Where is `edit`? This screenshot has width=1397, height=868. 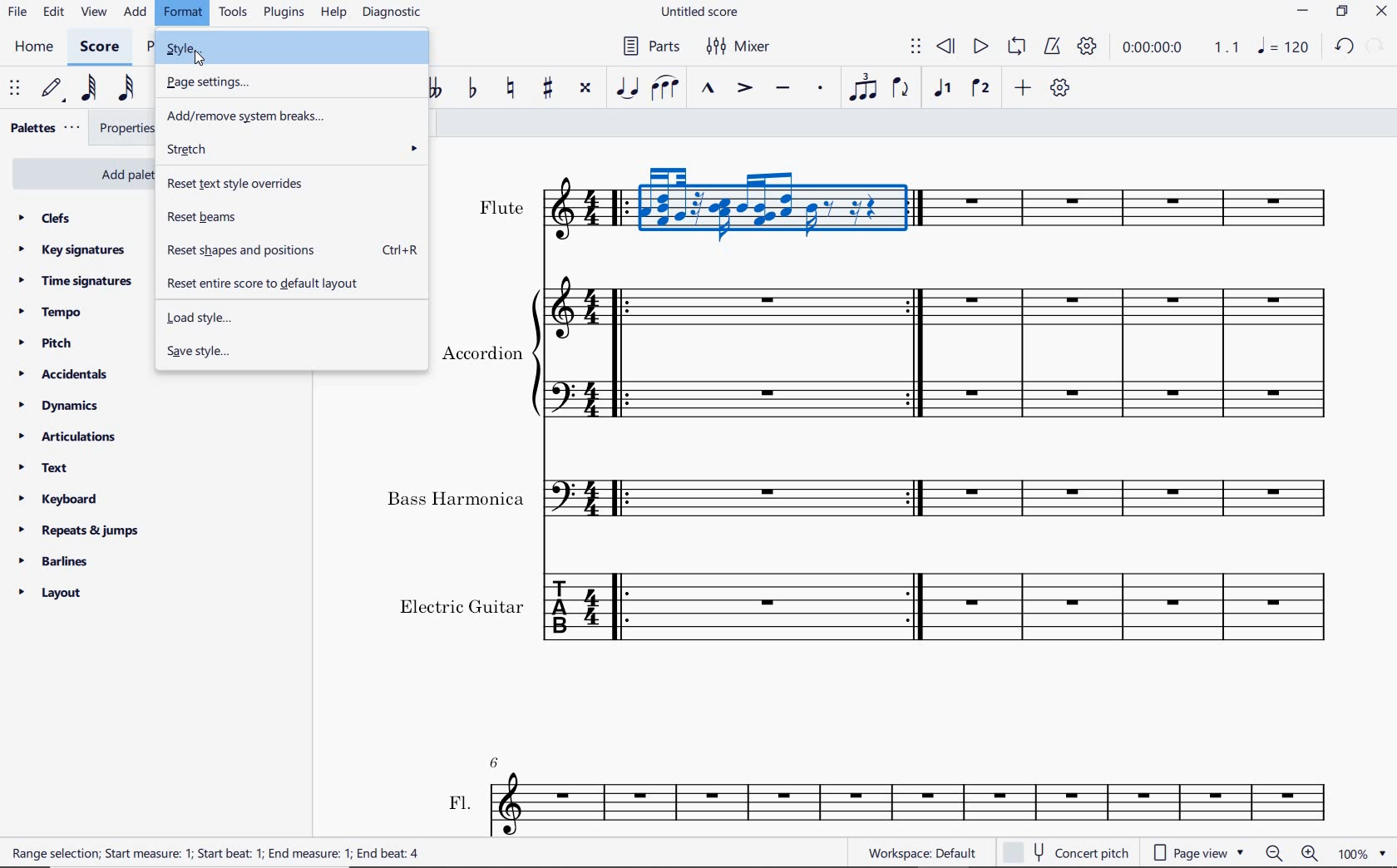
edit is located at coordinates (52, 12).